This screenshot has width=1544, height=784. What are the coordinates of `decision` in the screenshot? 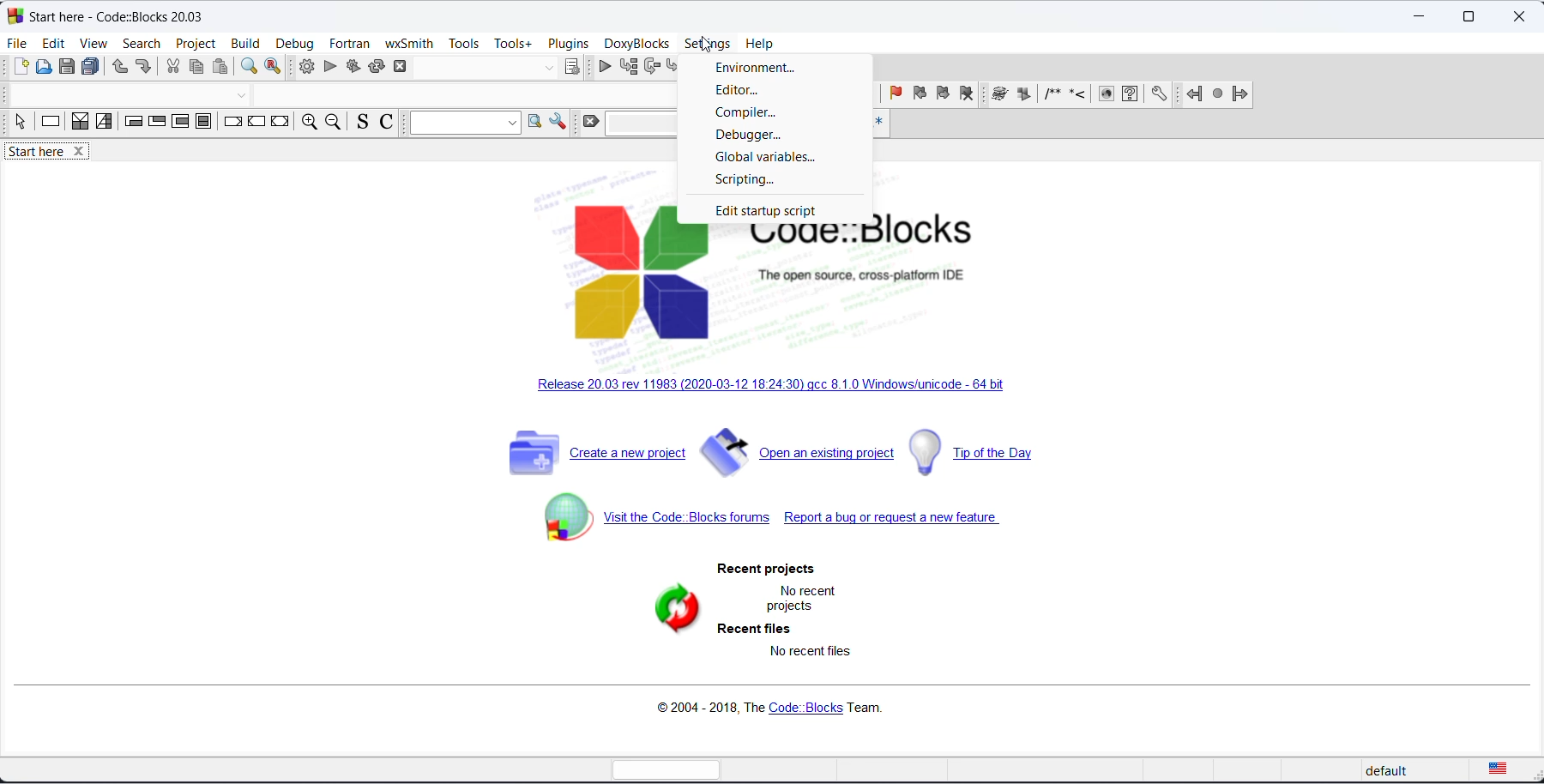 It's located at (80, 122).